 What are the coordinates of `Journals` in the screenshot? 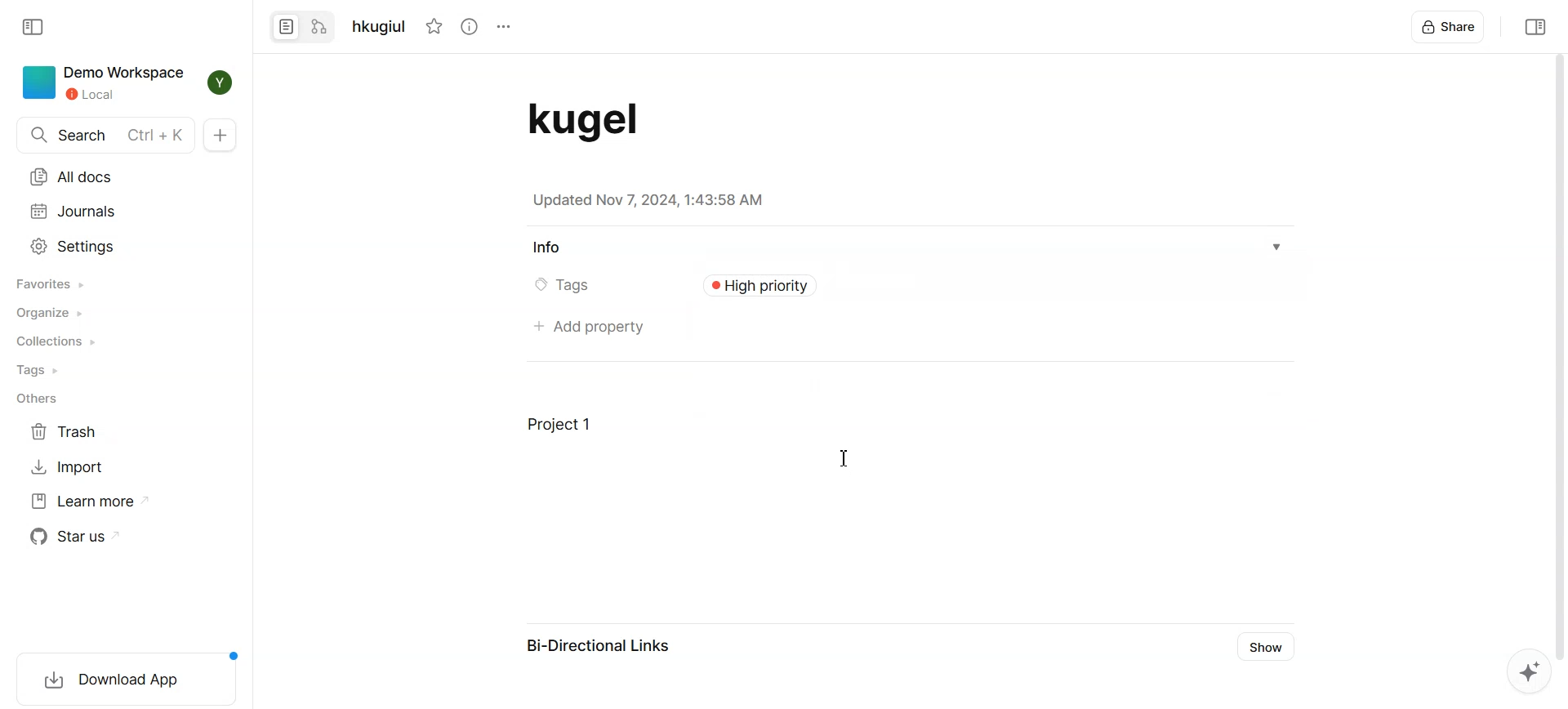 It's located at (75, 212).